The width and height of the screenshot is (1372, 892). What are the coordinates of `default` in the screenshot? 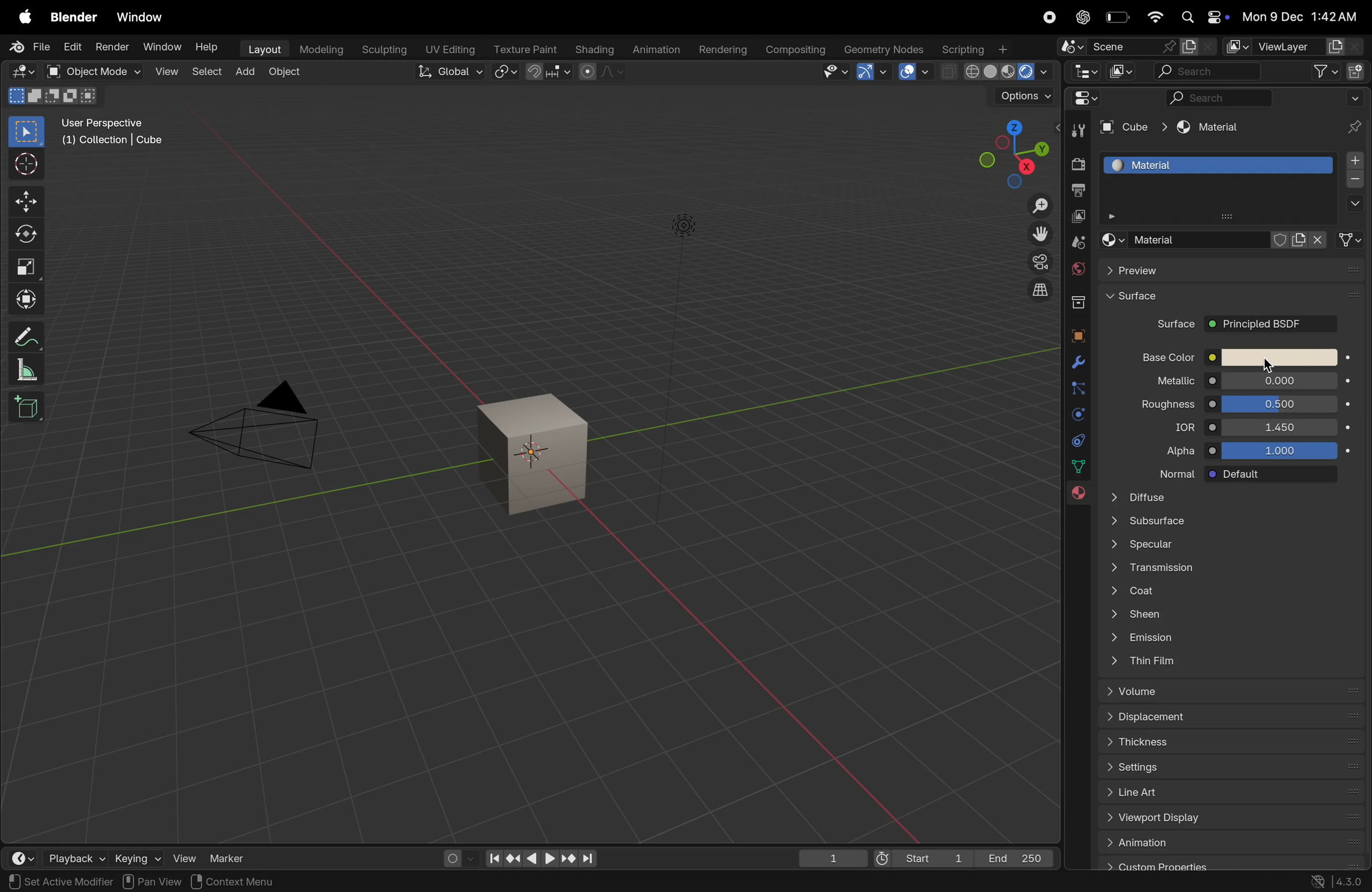 It's located at (1280, 475).